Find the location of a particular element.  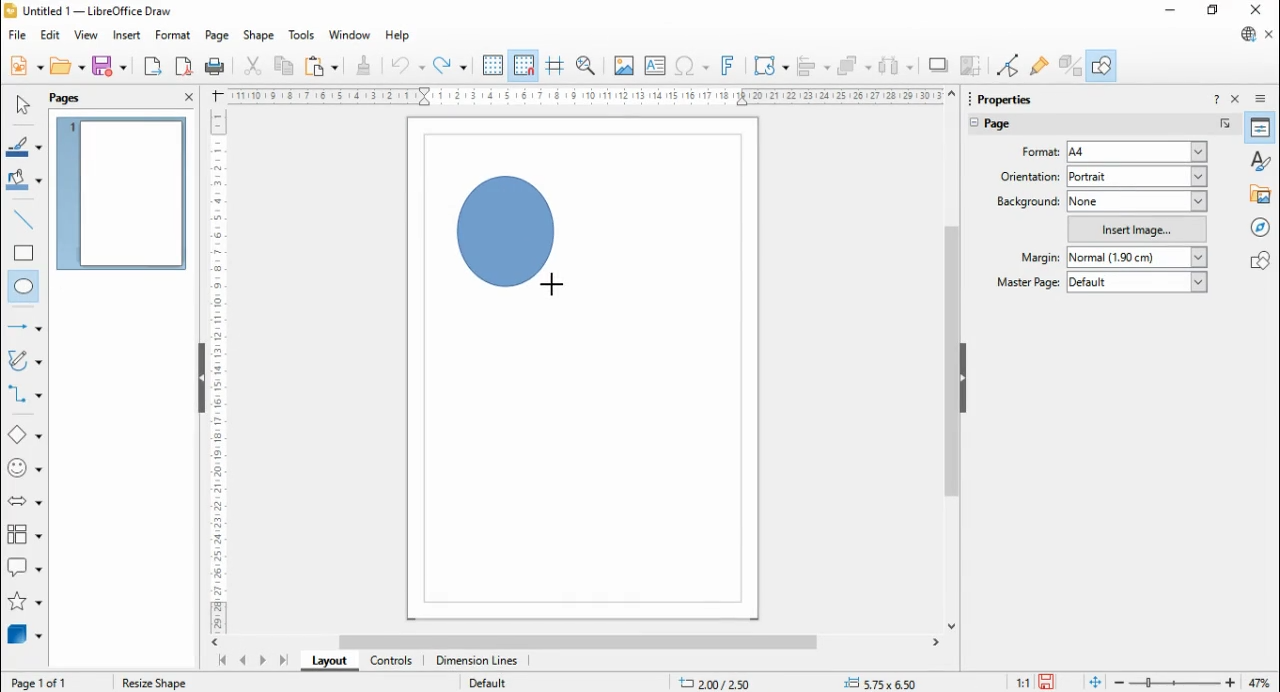

Circle shape is located at coordinates (508, 236).